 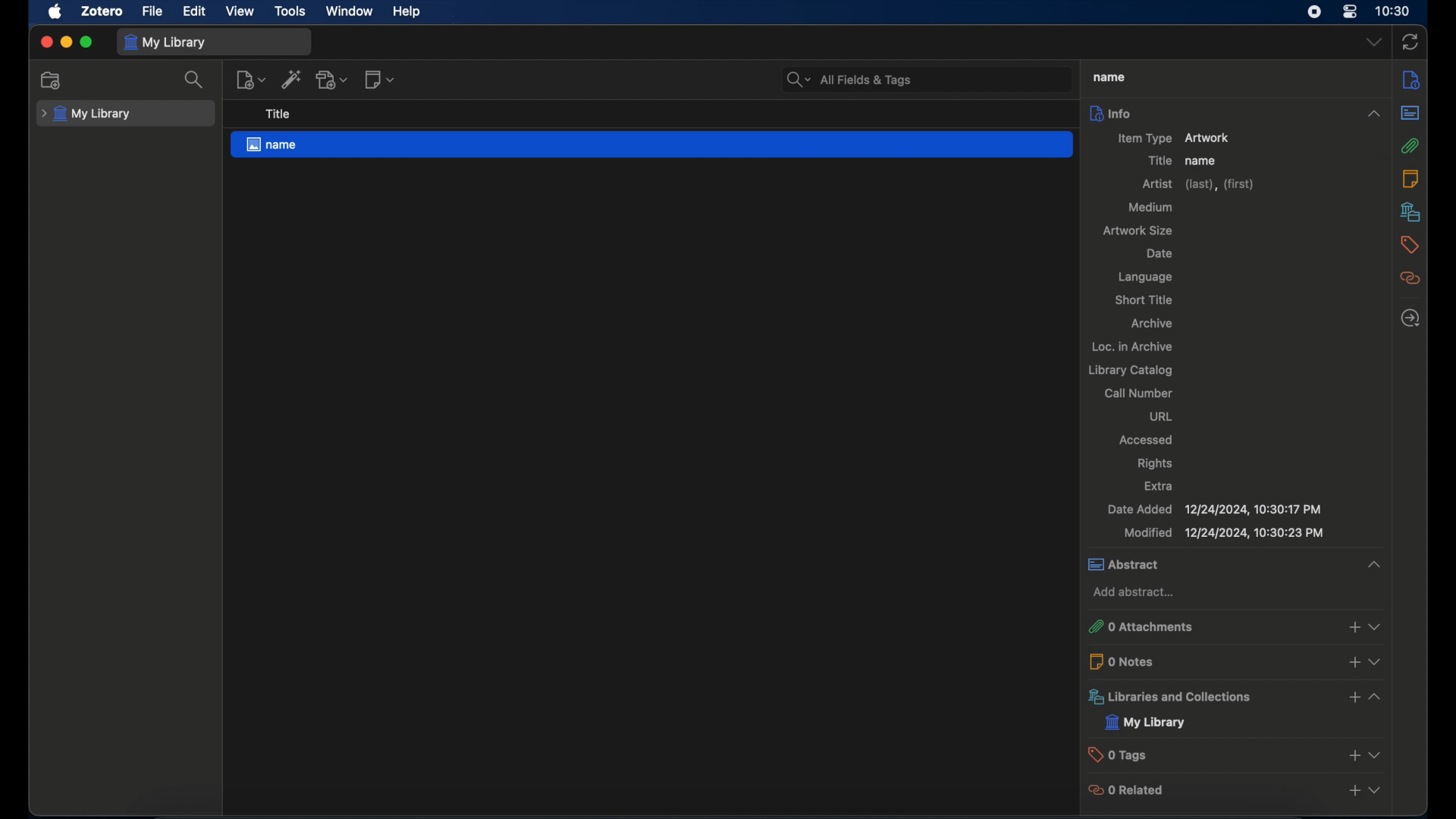 I want to click on view, so click(x=241, y=12).